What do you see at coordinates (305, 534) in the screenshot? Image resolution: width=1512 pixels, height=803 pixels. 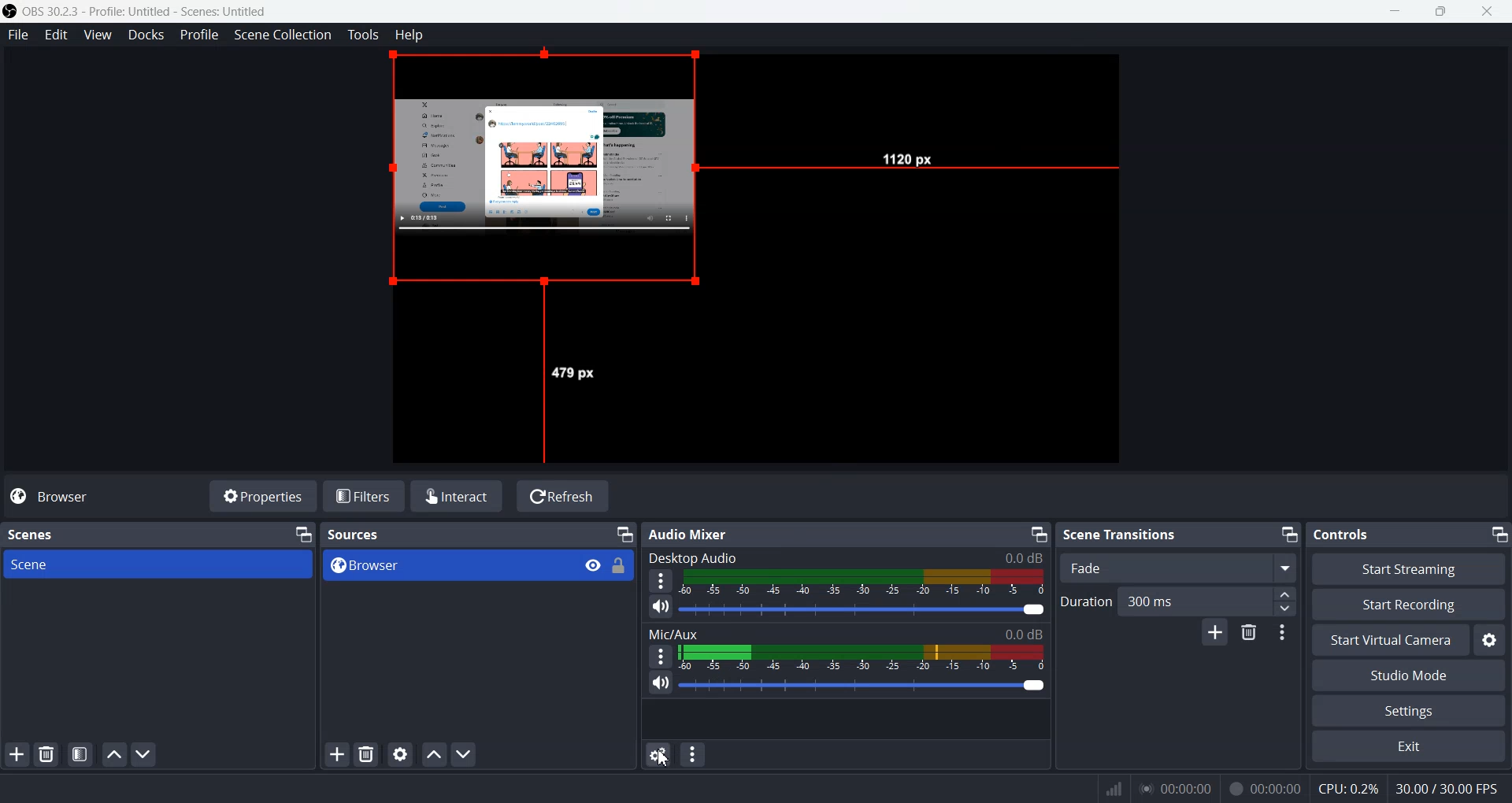 I see `Minimize` at bounding box center [305, 534].